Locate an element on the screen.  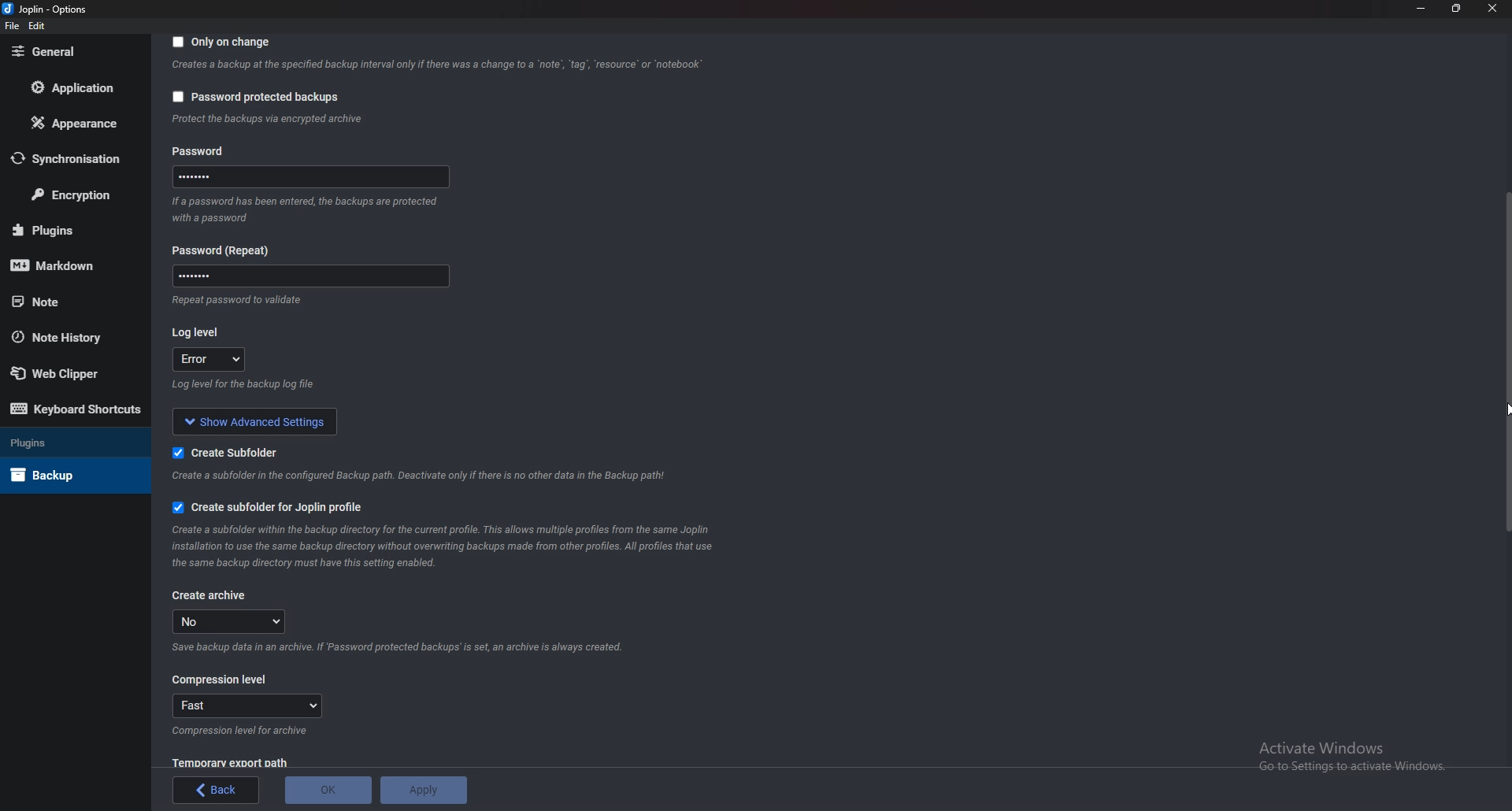
Info is located at coordinates (405, 646).